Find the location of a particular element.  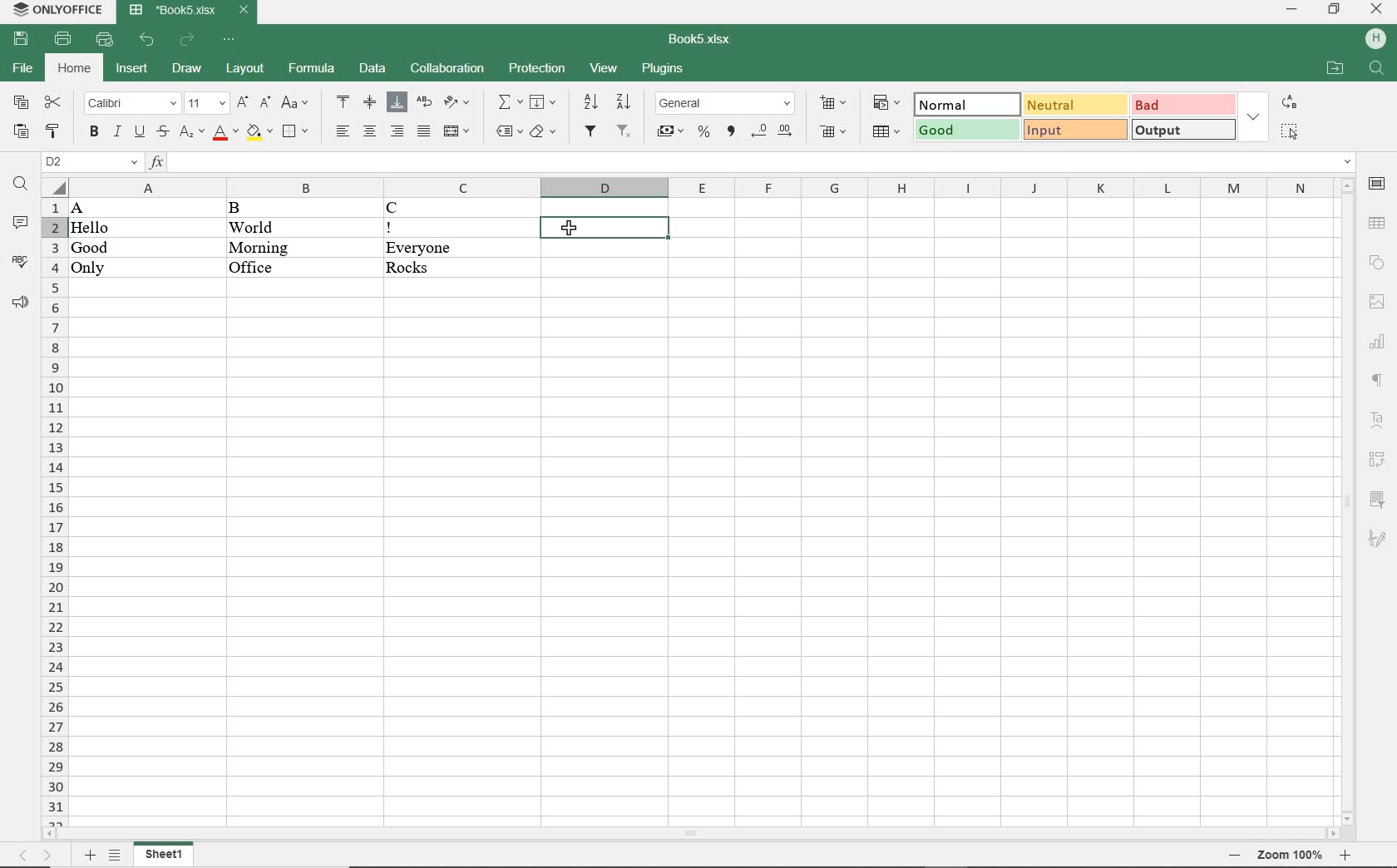

LAYOUT is located at coordinates (247, 69).